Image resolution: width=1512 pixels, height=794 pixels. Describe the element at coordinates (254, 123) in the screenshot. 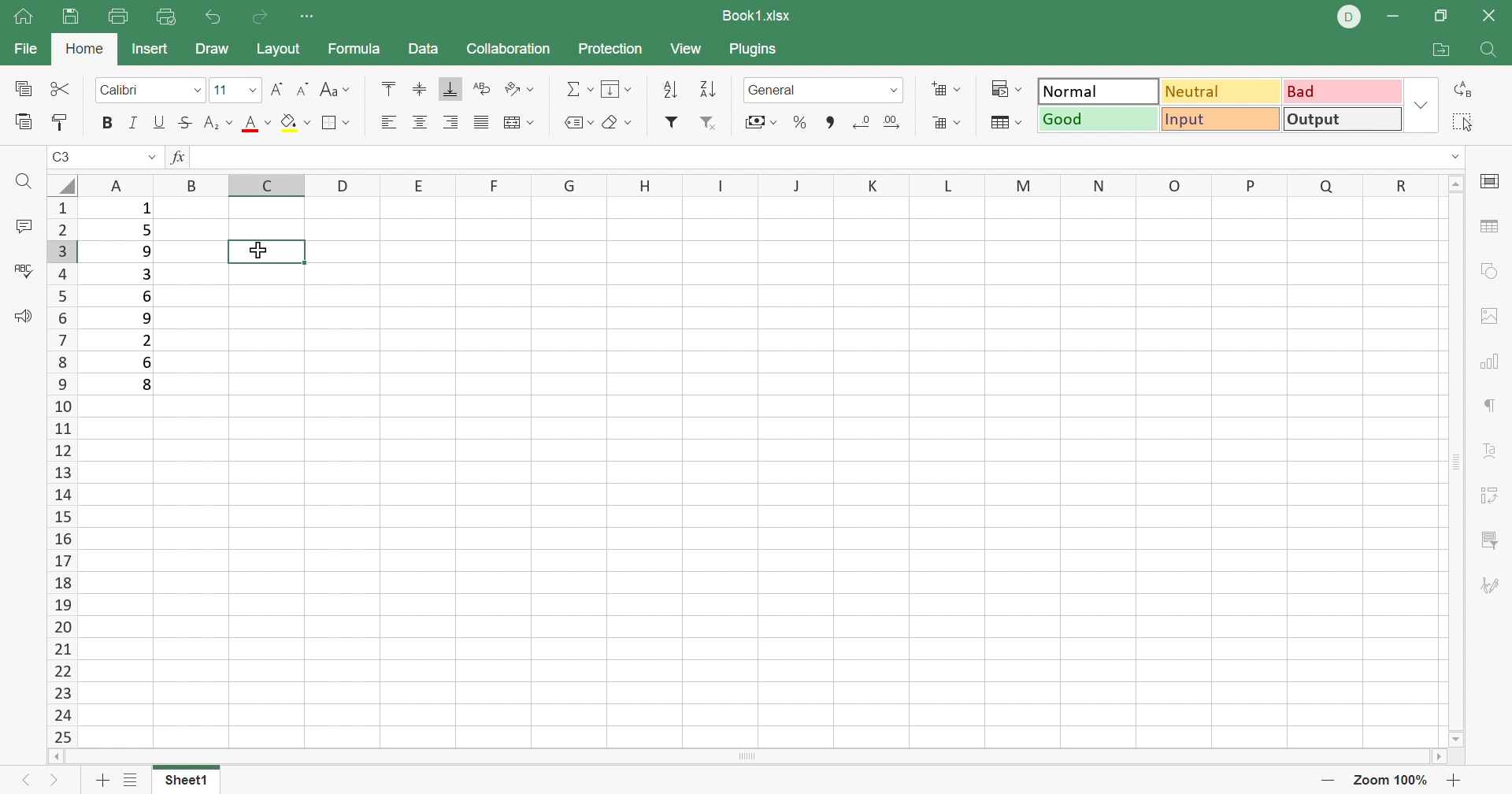

I see `Font color` at that location.